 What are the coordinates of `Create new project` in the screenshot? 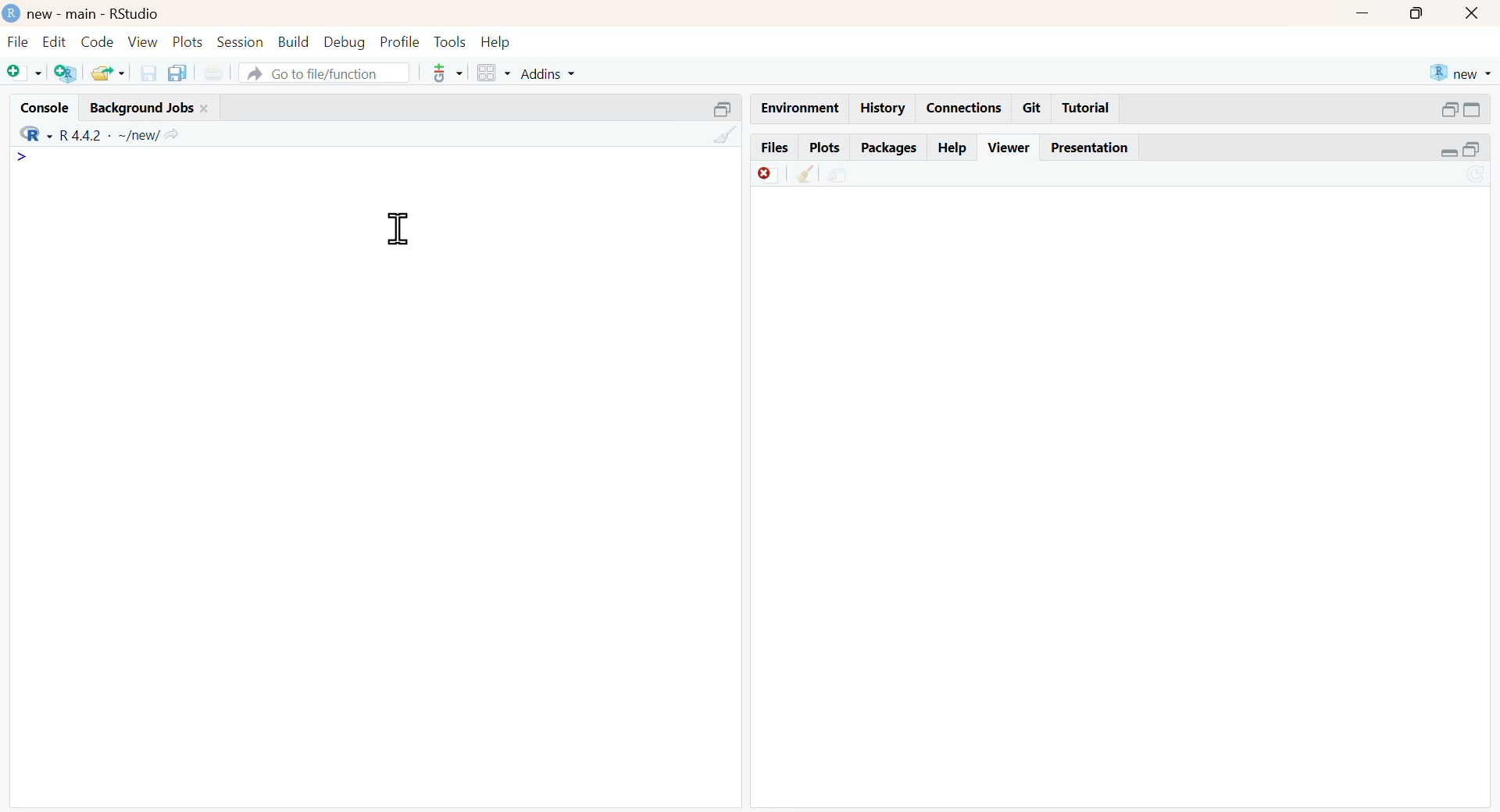 It's located at (63, 73).